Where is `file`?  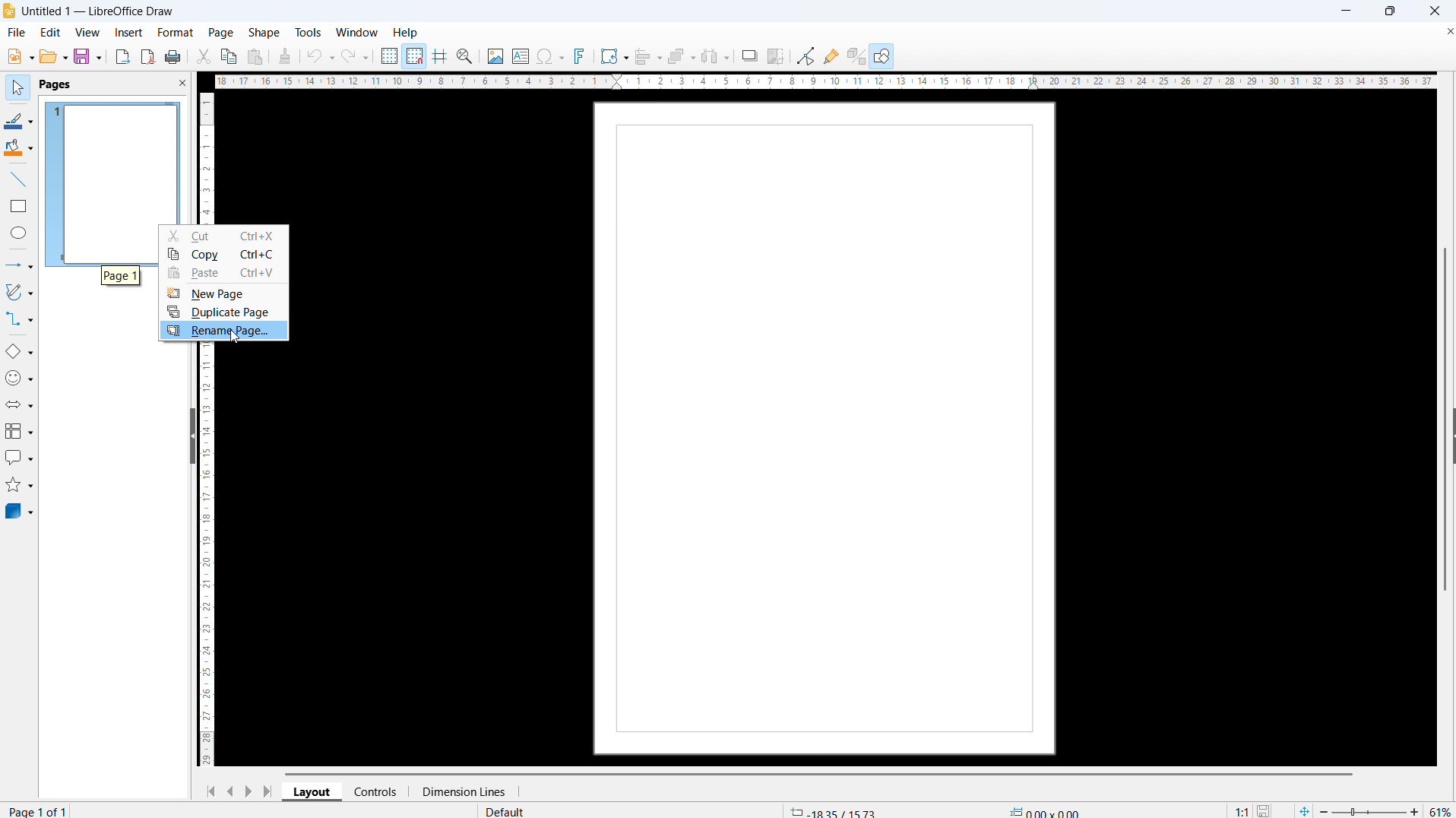 file is located at coordinates (17, 33).